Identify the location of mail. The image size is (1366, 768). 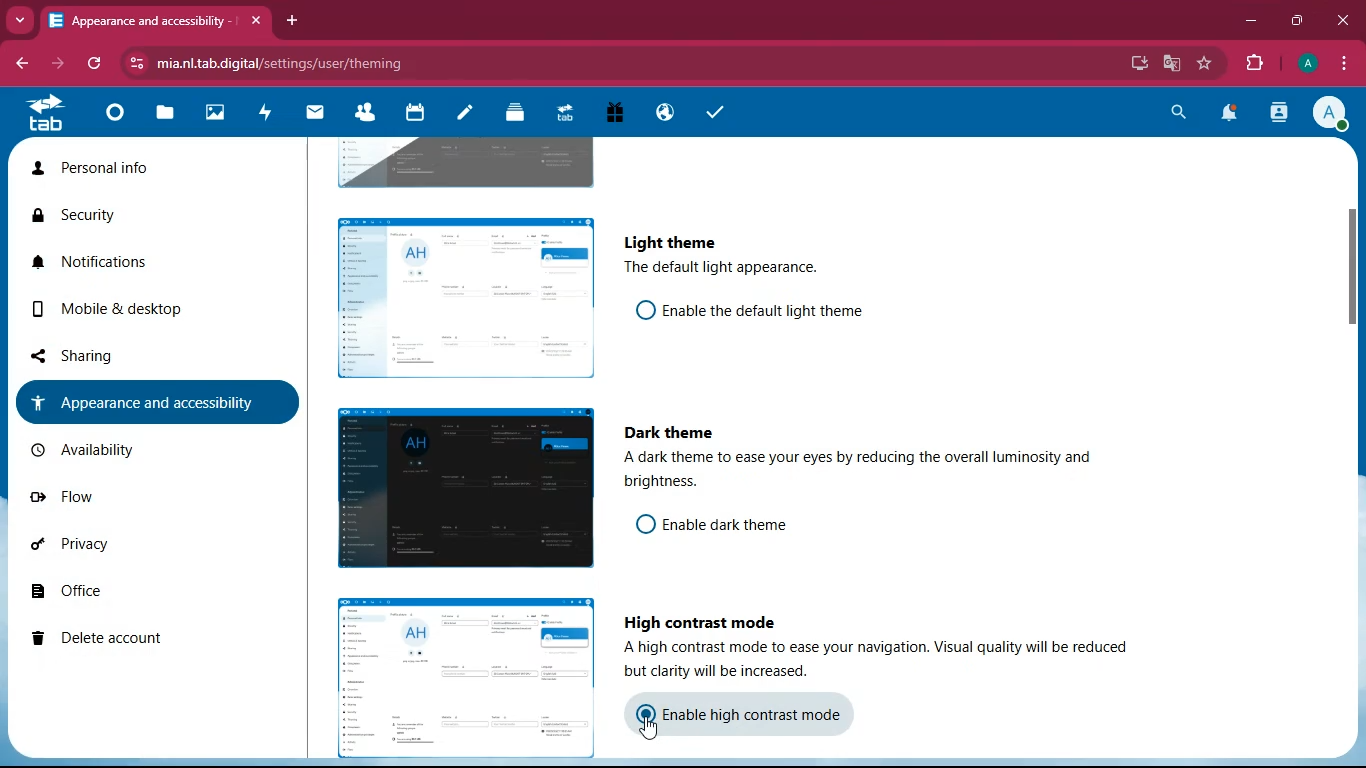
(316, 115).